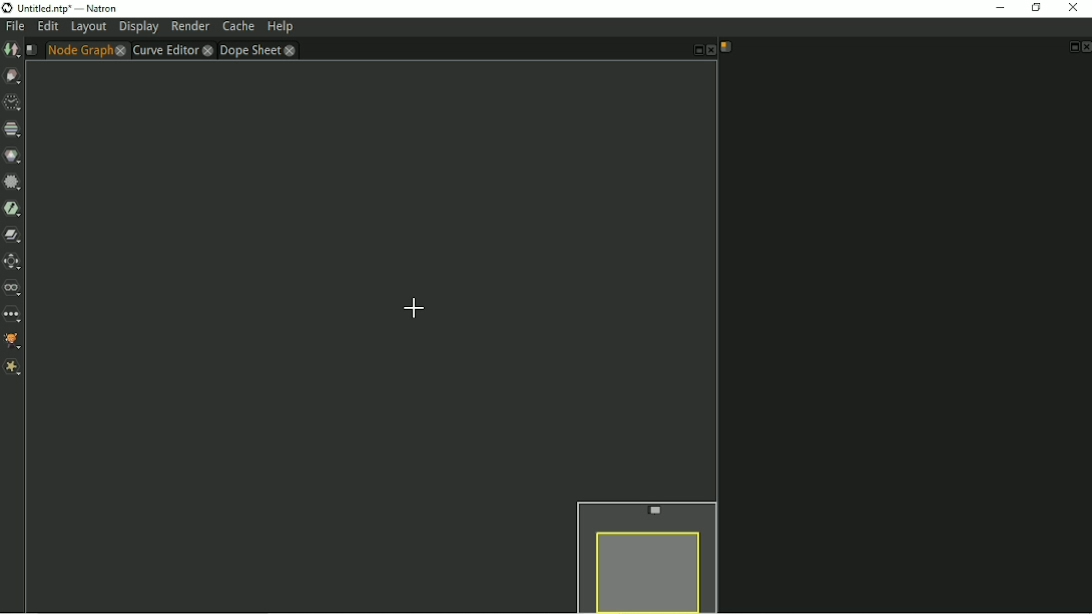  I want to click on Extra, so click(13, 369).